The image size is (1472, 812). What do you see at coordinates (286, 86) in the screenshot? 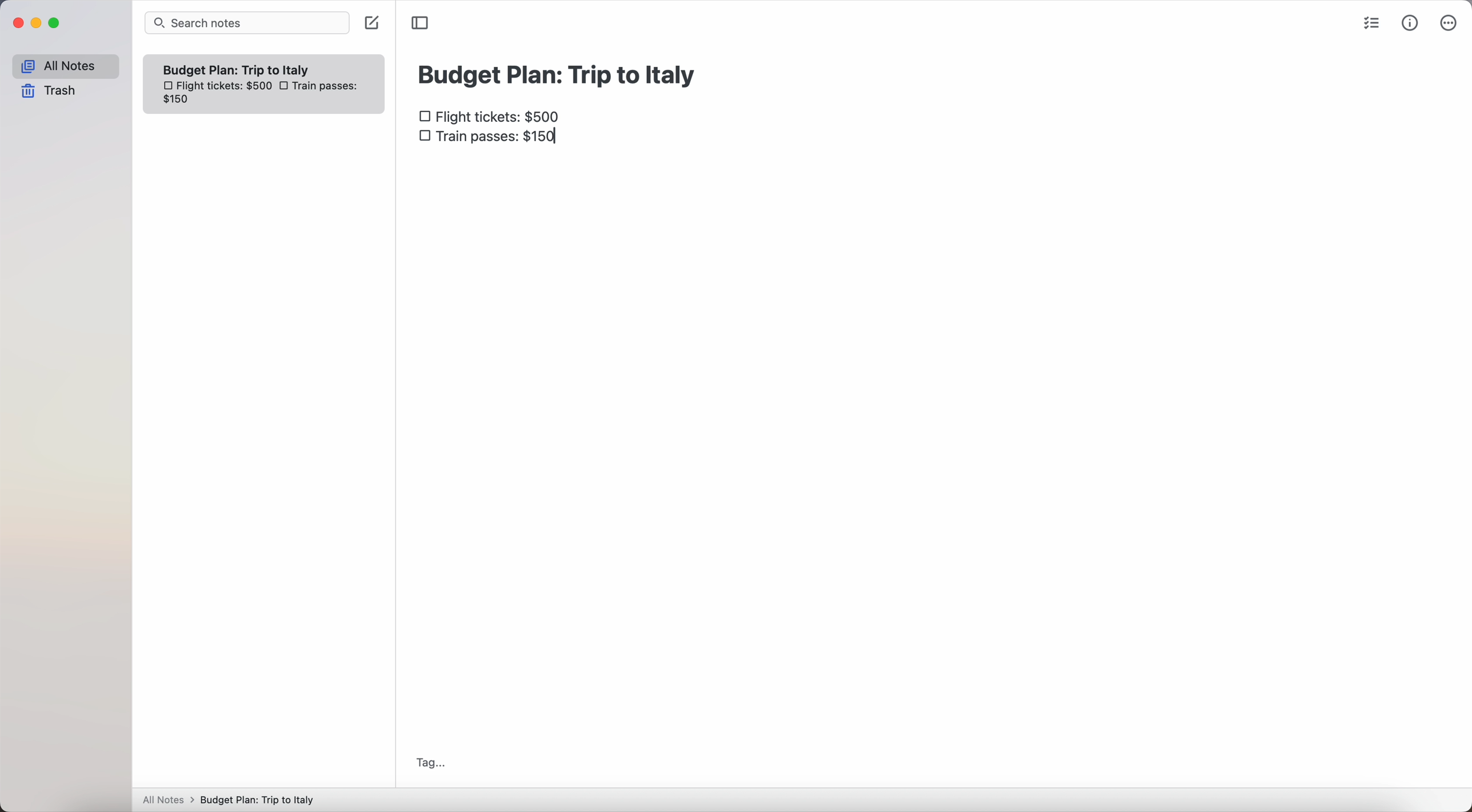
I see `checkbox` at bounding box center [286, 86].